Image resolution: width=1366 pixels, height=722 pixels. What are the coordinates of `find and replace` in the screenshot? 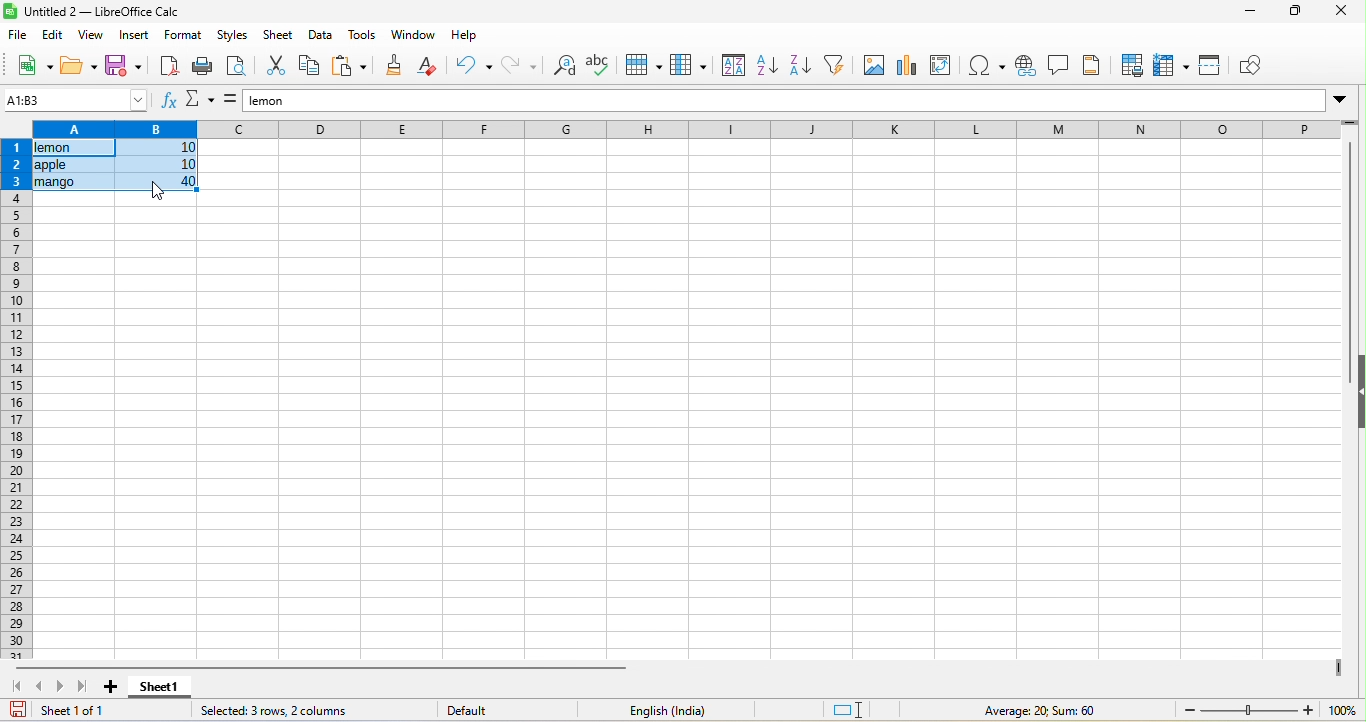 It's located at (564, 67).